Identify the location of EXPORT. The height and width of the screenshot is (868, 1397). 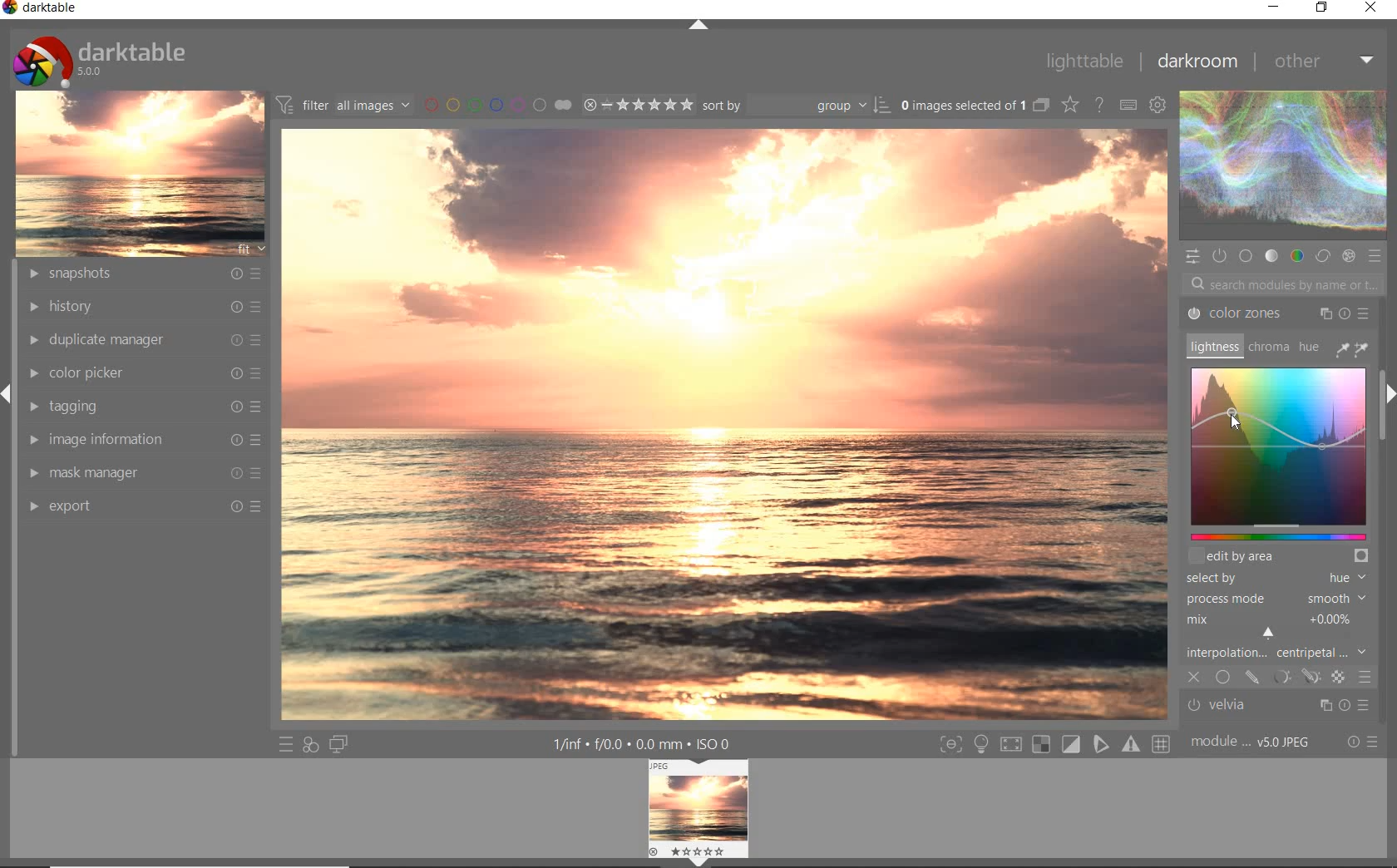
(146, 505).